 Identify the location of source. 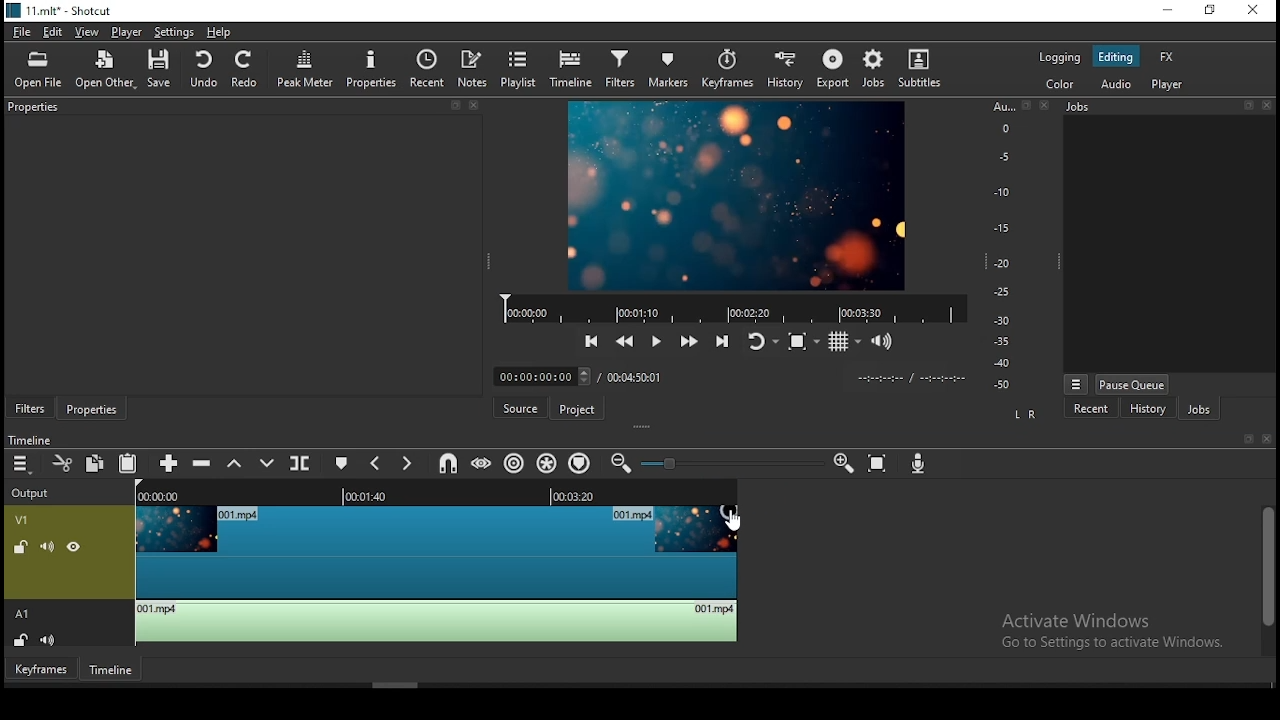
(519, 409).